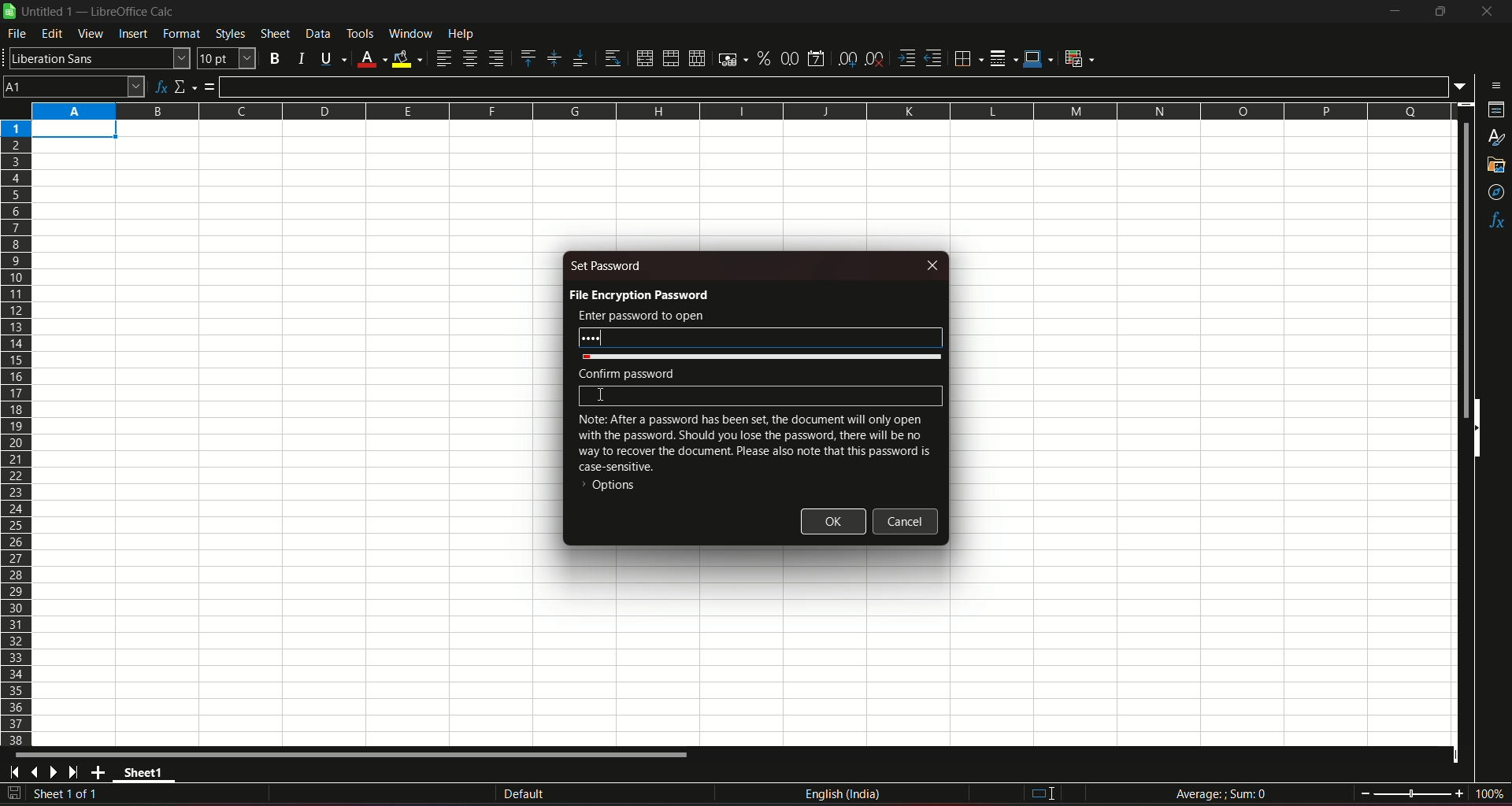 Image resolution: width=1512 pixels, height=806 pixels. What do you see at coordinates (356, 755) in the screenshot?
I see `horizontal scroll` at bounding box center [356, 755].